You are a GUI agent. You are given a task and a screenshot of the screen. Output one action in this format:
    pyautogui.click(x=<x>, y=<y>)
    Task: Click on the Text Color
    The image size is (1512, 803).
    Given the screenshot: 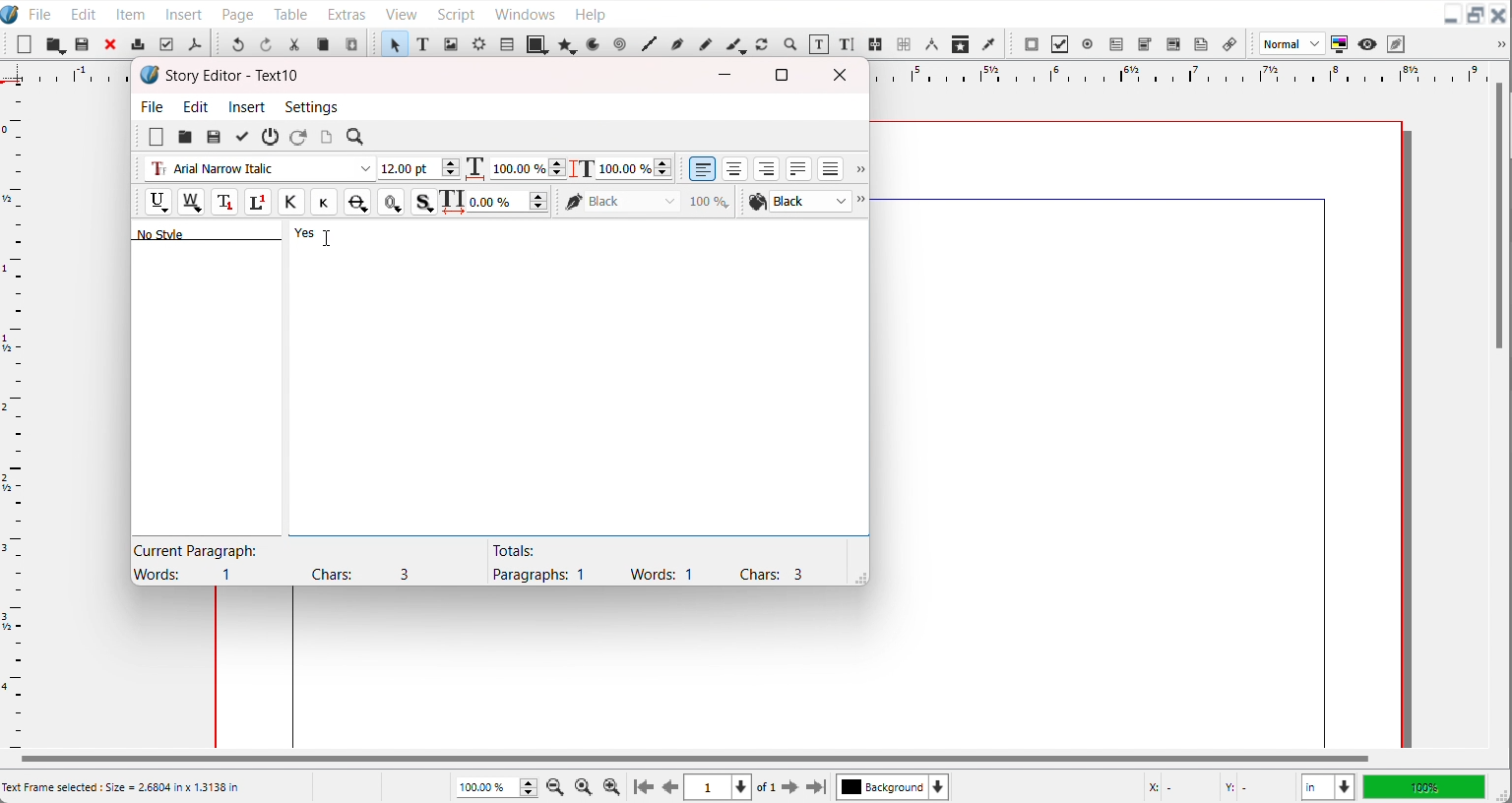 What is the action you would take?
    pyautogui.click(x=798, y=202)
    